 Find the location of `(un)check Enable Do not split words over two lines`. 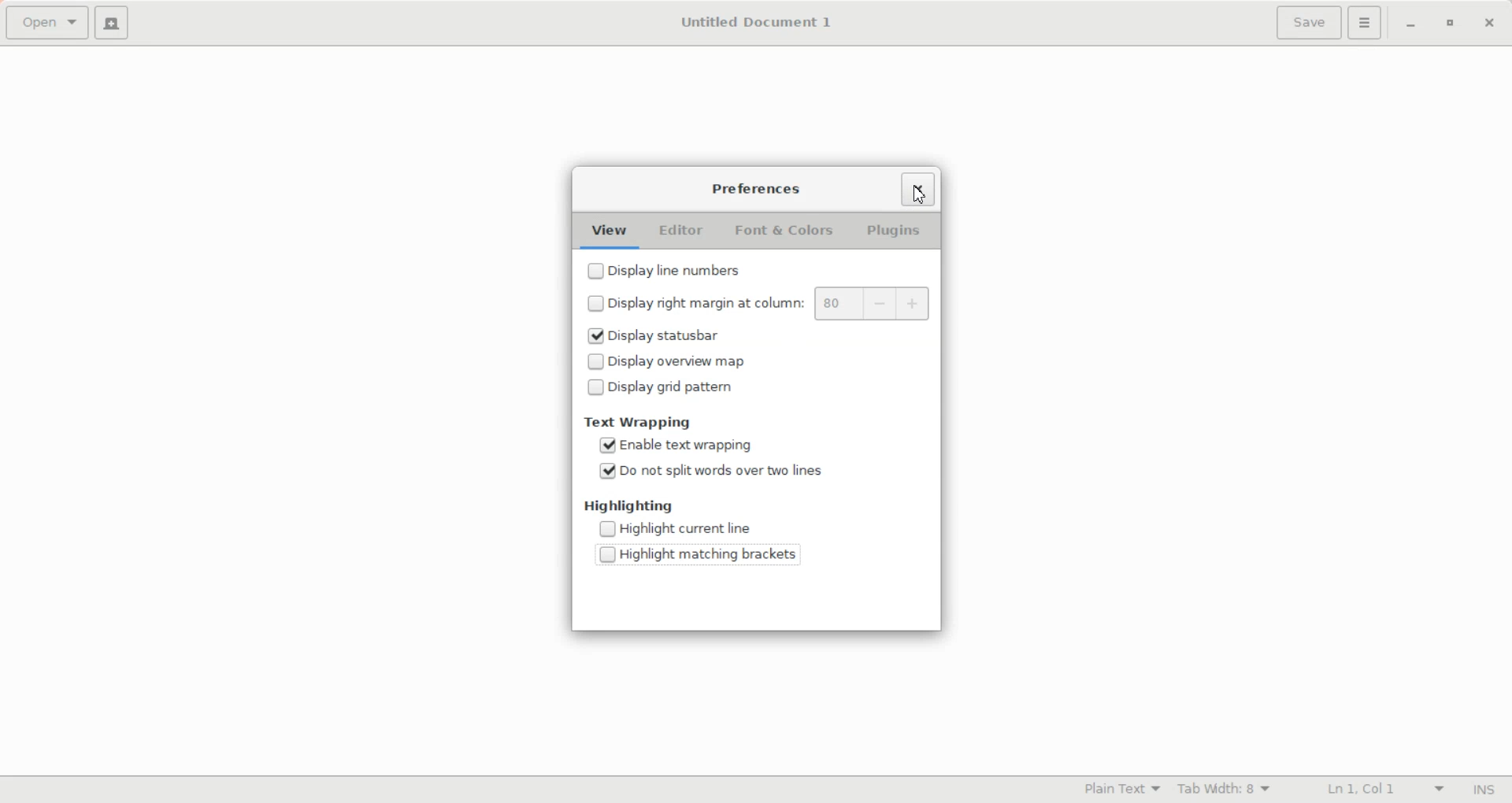

(un)check Enable Do not split words over two lines is located at coordinates (706, 468).